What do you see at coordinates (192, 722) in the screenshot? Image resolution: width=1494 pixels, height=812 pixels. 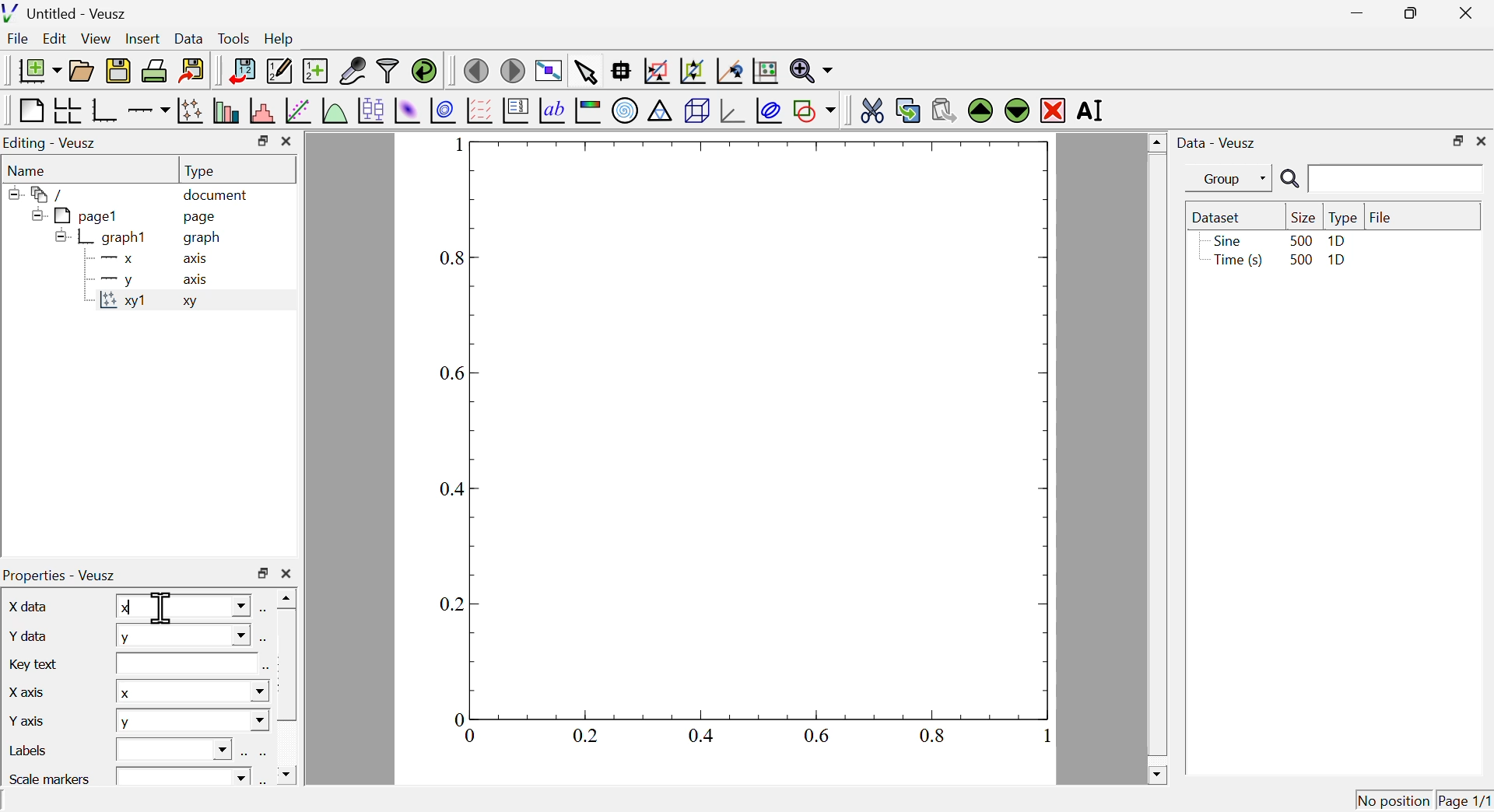 I see `y` at bounding box center [192, 722].